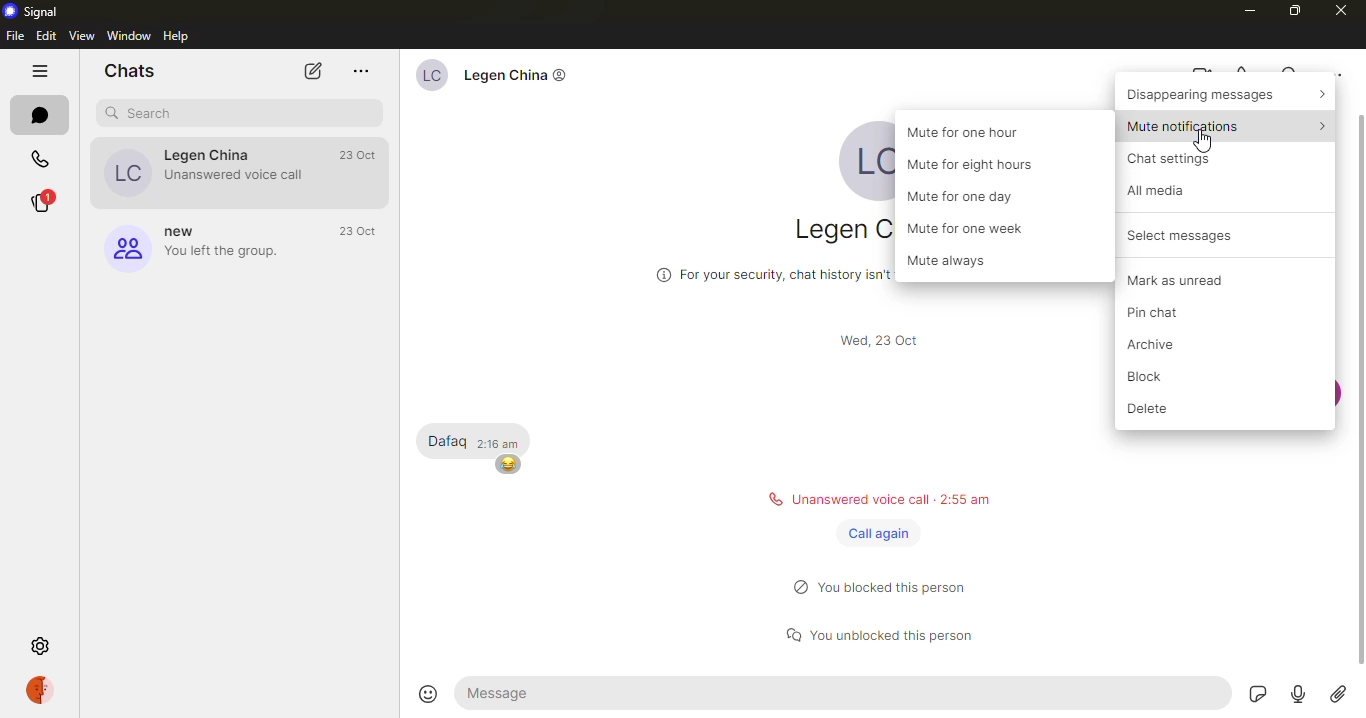 The height and width of the screenshot is (718, 1366). Describe the element at coordinates (1248, 10) in the screenshot. I see `minimize` at that location.